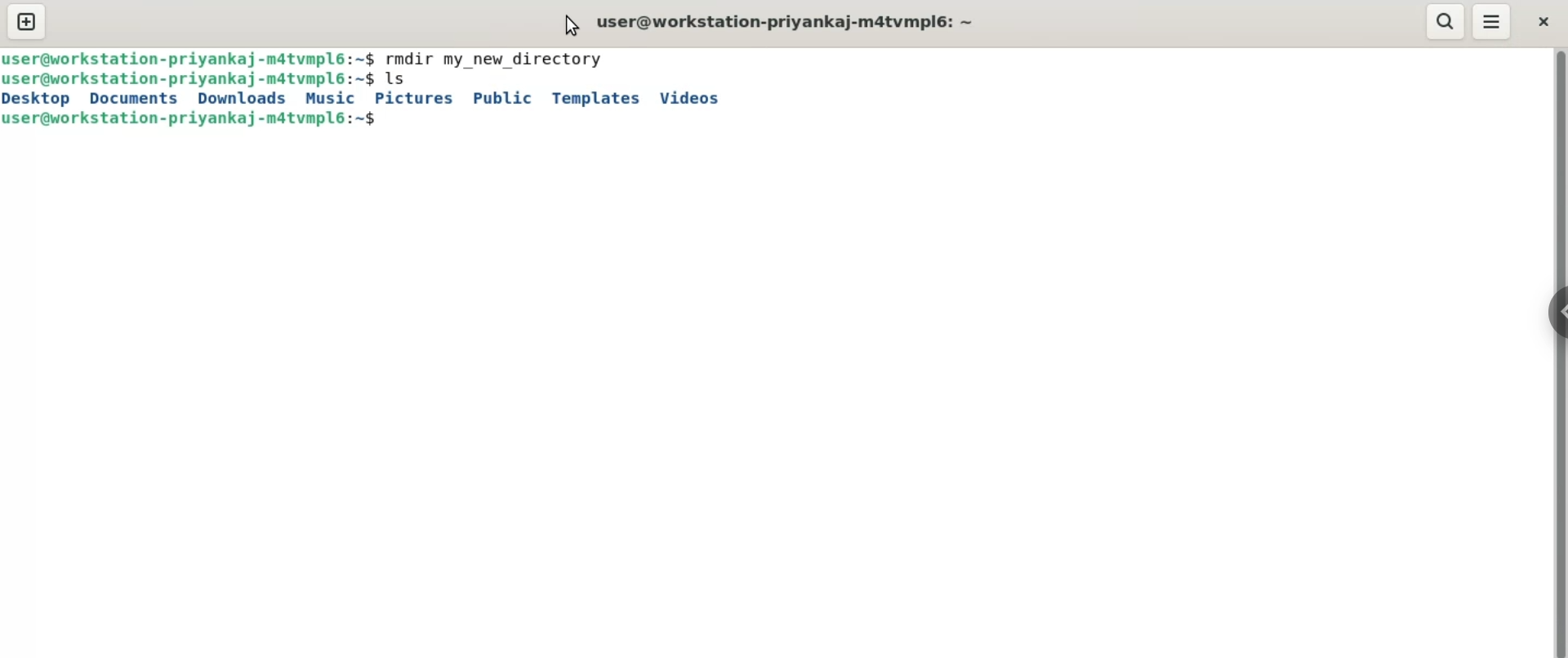  What do you see at coordinates (791, 20) in the screenshot?
I see `user@workstation-priyanka-m4tvmpl6:~` at bounding box center [791, 20].